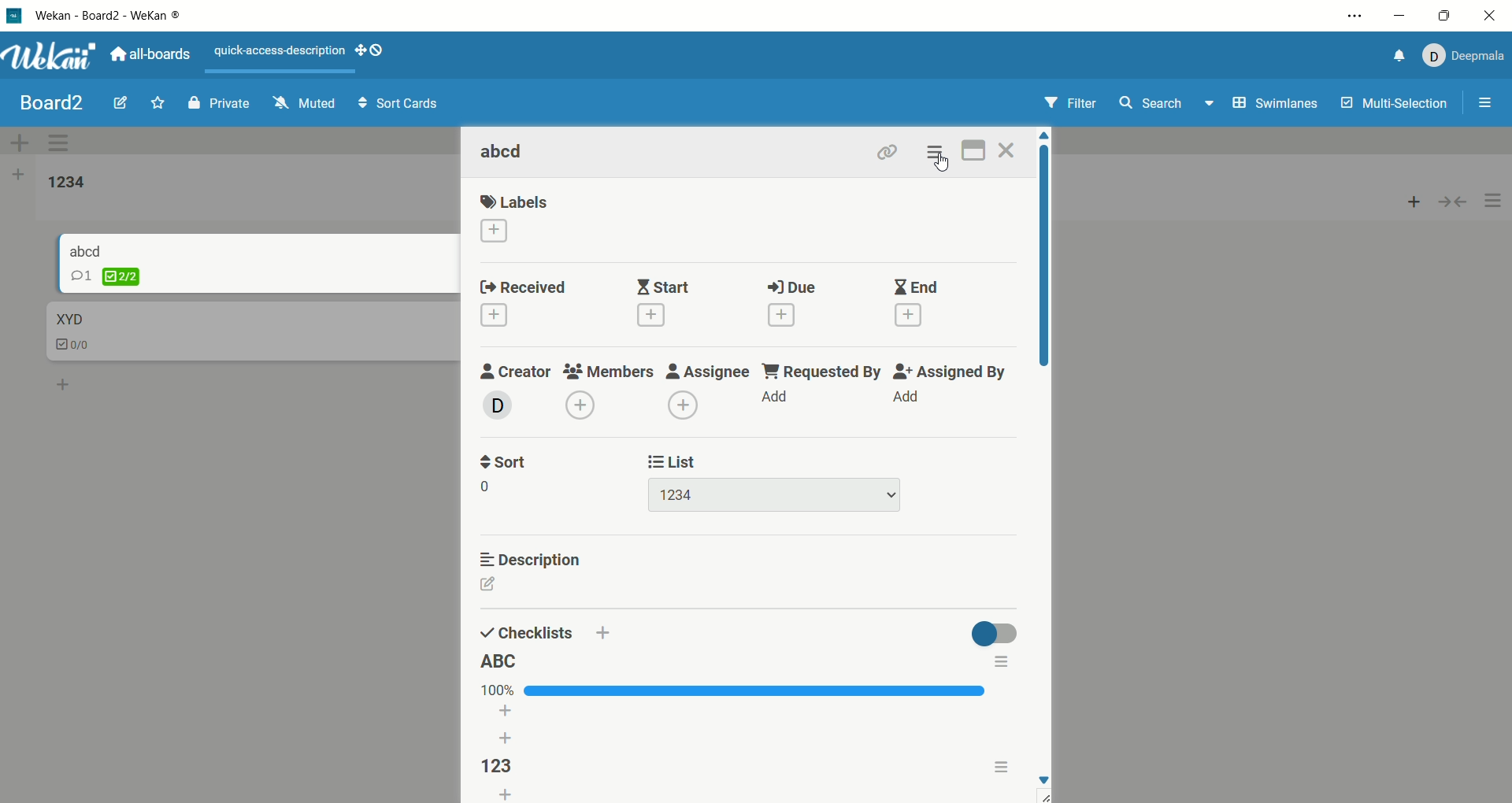  Describe the element at coordinates (732, 688) in the screenshot. I see `progress` at that location.